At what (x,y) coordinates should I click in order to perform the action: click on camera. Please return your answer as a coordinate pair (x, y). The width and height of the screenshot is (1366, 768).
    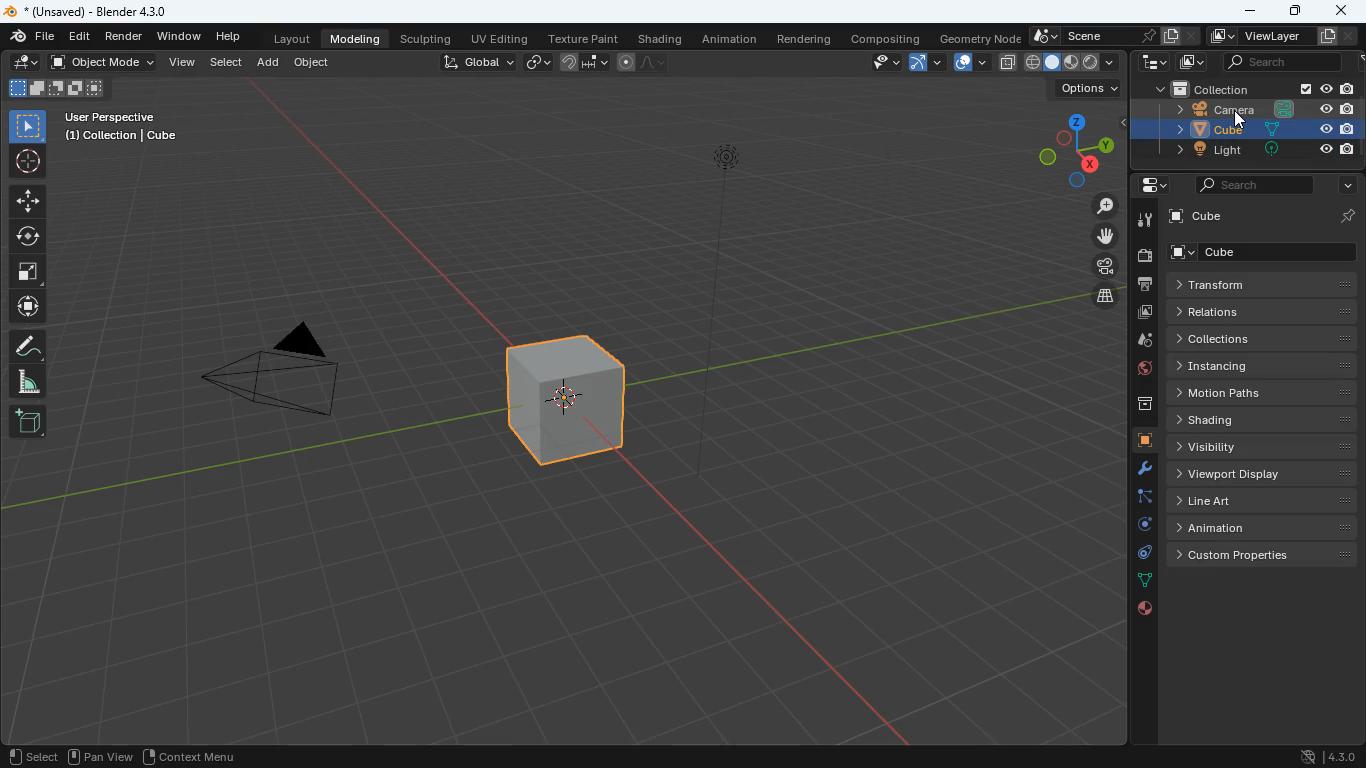
    Looking at the image, I should click on (294, 374).